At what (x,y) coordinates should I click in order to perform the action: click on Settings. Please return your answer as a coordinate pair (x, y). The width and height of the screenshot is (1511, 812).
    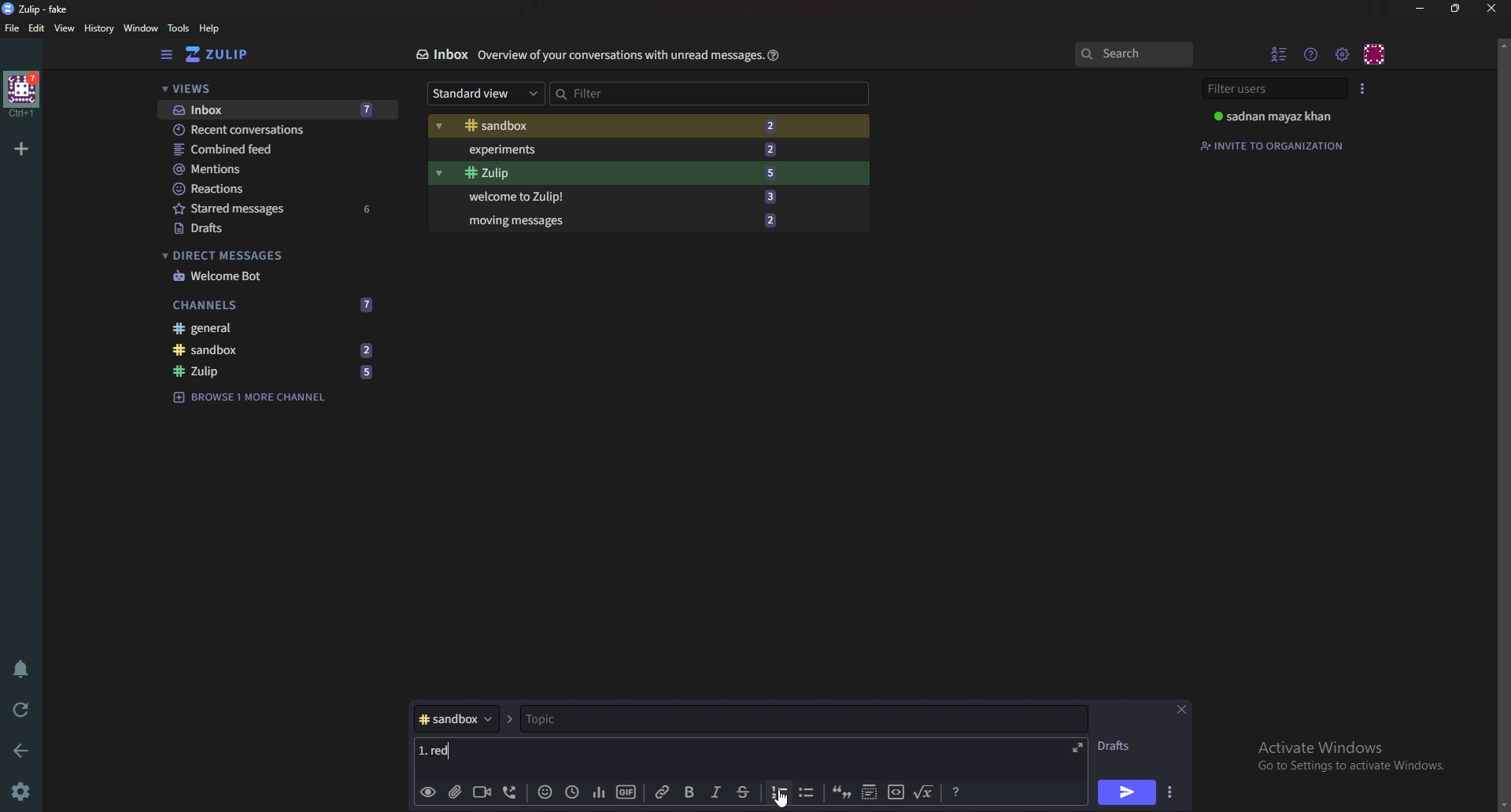
    Looking at the image, I should click on (24, 791).